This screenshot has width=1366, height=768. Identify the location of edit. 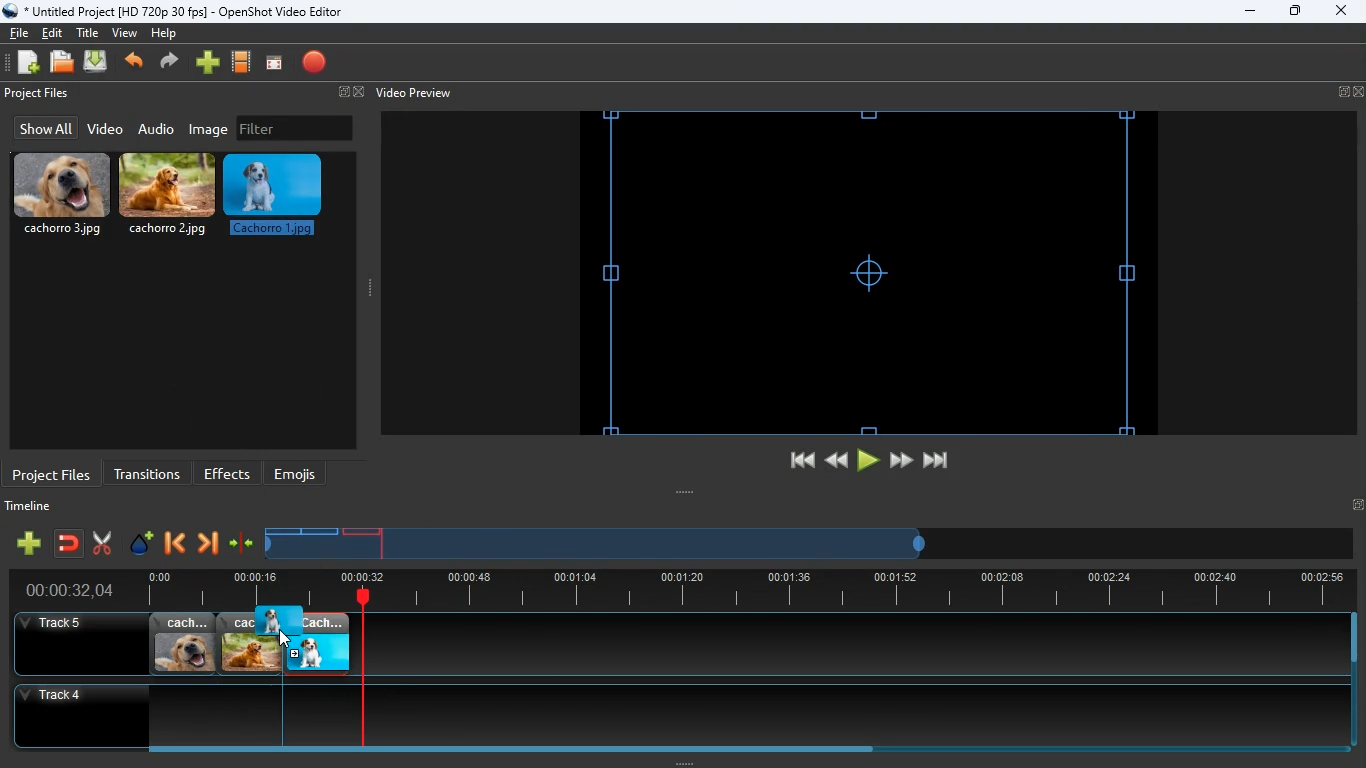
(55, 33).